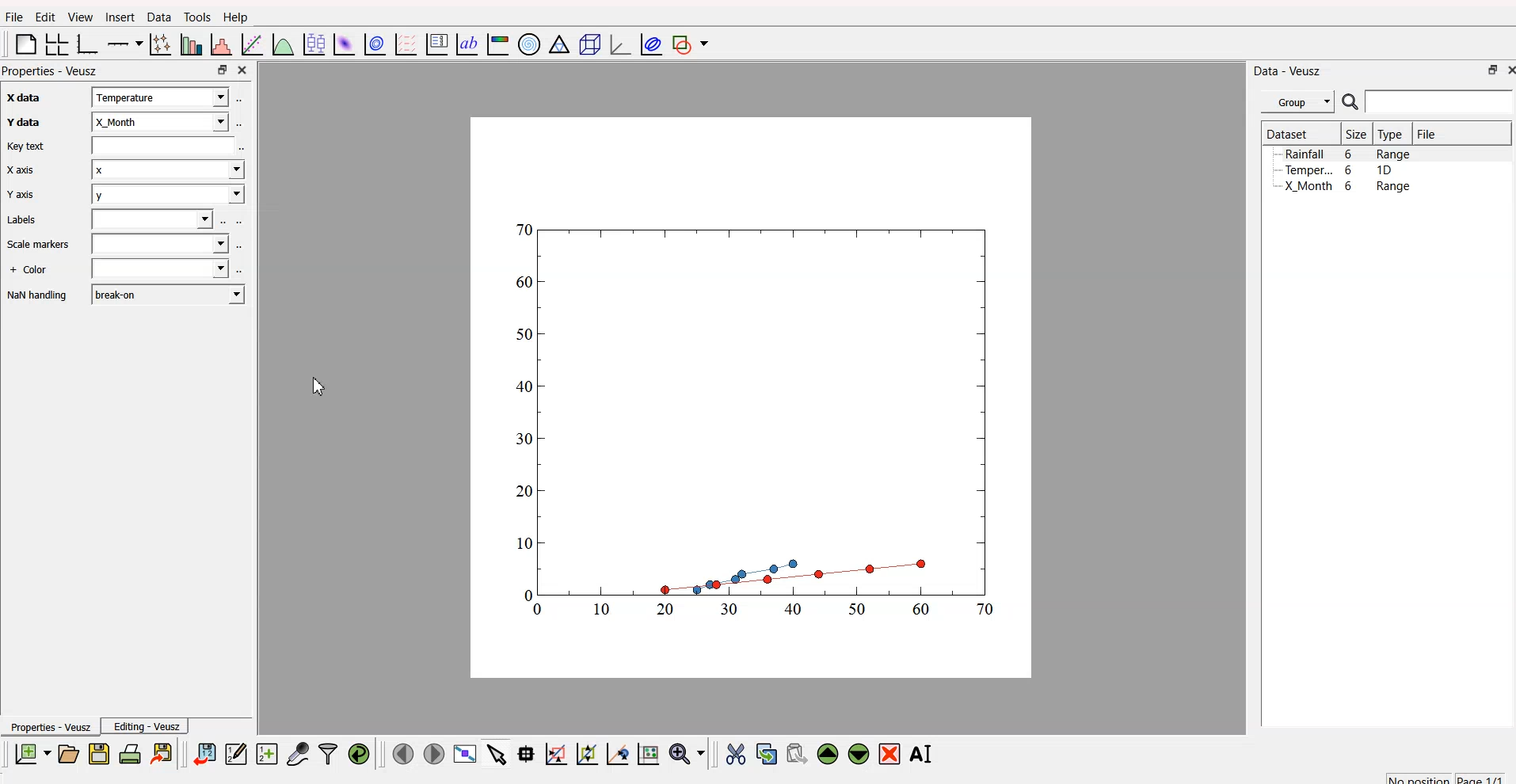 This screenshot has height=784, width=1516. Describe the element at coordinates (245, 70) in the screenshot. I see `close` at that location.